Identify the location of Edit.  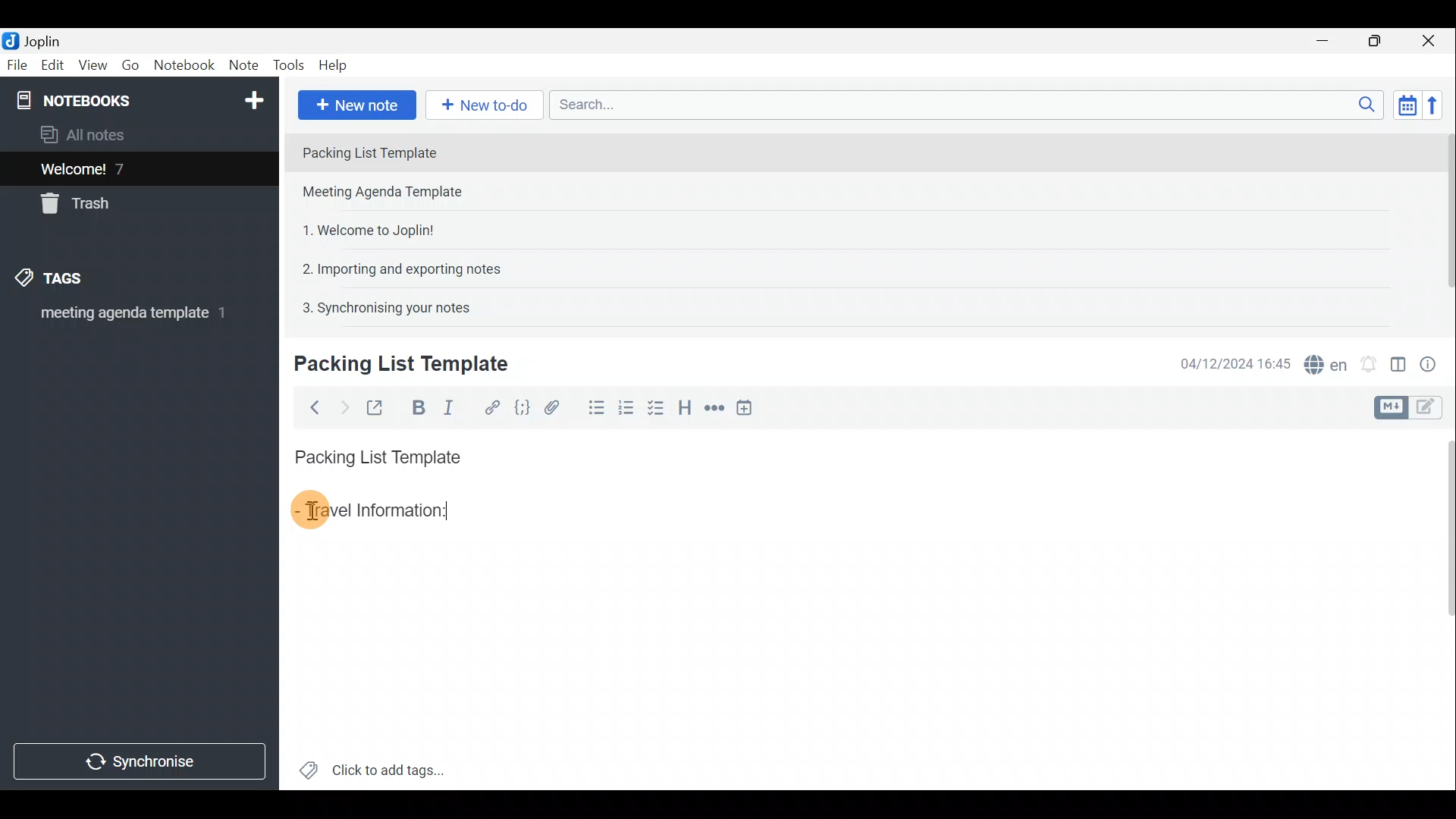
(49, 66).